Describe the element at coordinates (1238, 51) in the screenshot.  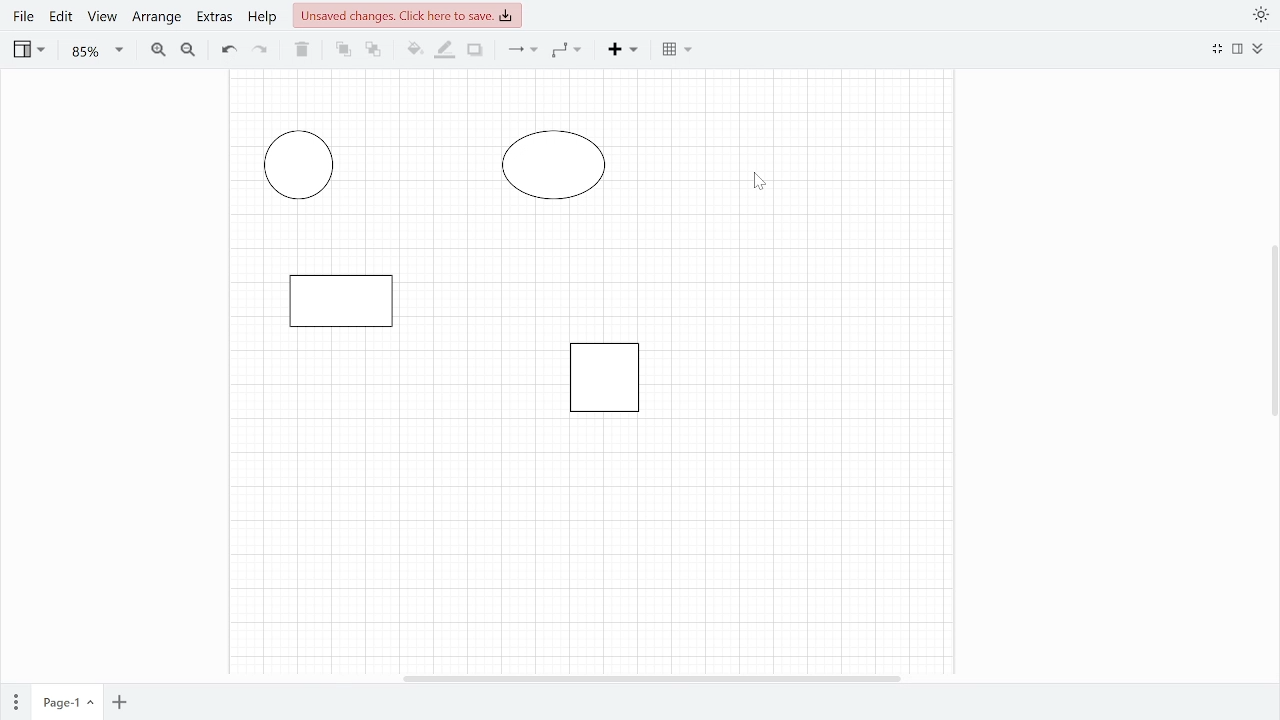
I see `Format` at that location.